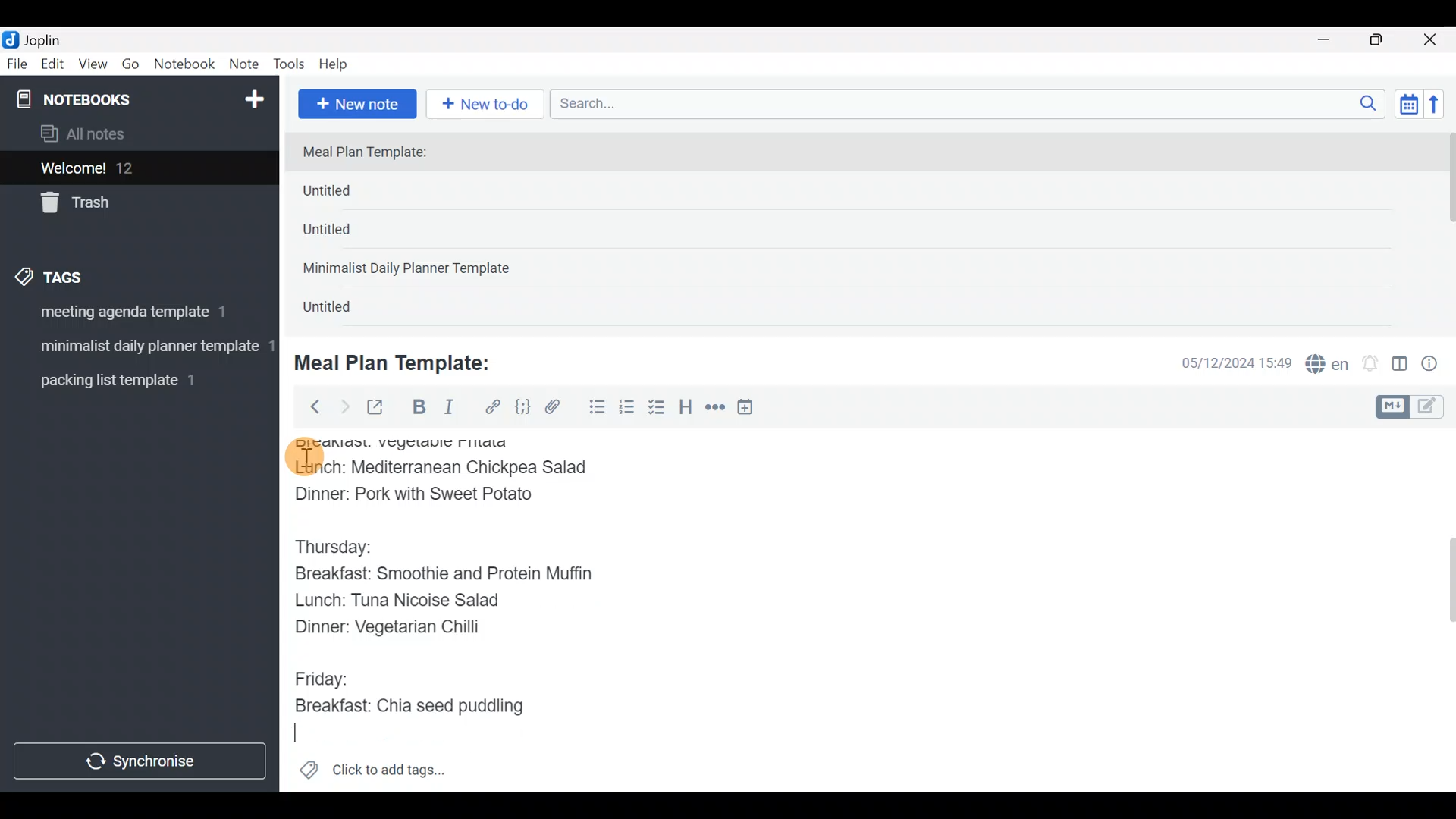  What do you see at coordinates (752, 409) in the screenshot?
I see `Insert time` at bounding box center [752, 409].